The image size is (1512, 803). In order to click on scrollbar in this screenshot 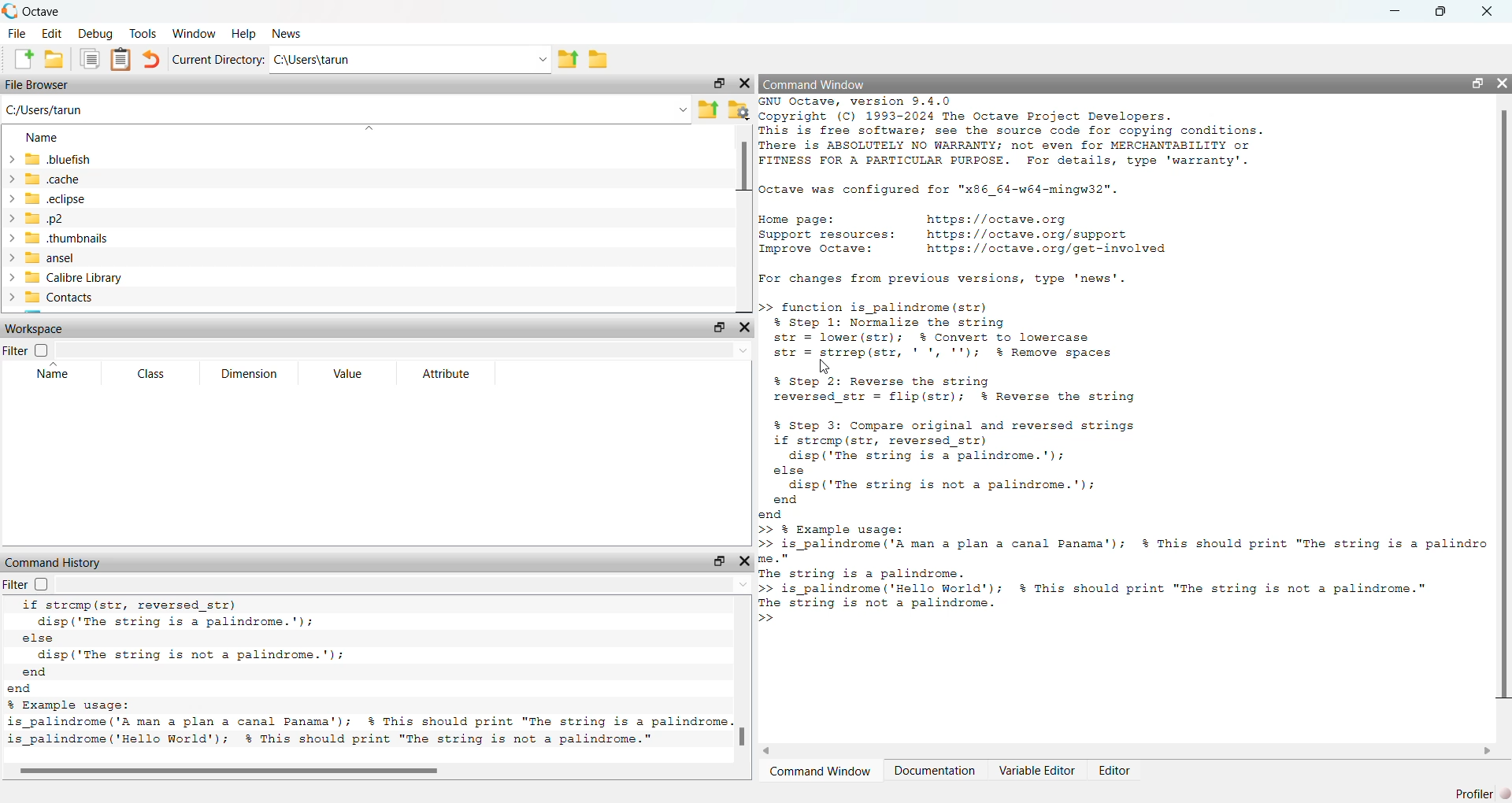, I will do `click(224, 769)`.